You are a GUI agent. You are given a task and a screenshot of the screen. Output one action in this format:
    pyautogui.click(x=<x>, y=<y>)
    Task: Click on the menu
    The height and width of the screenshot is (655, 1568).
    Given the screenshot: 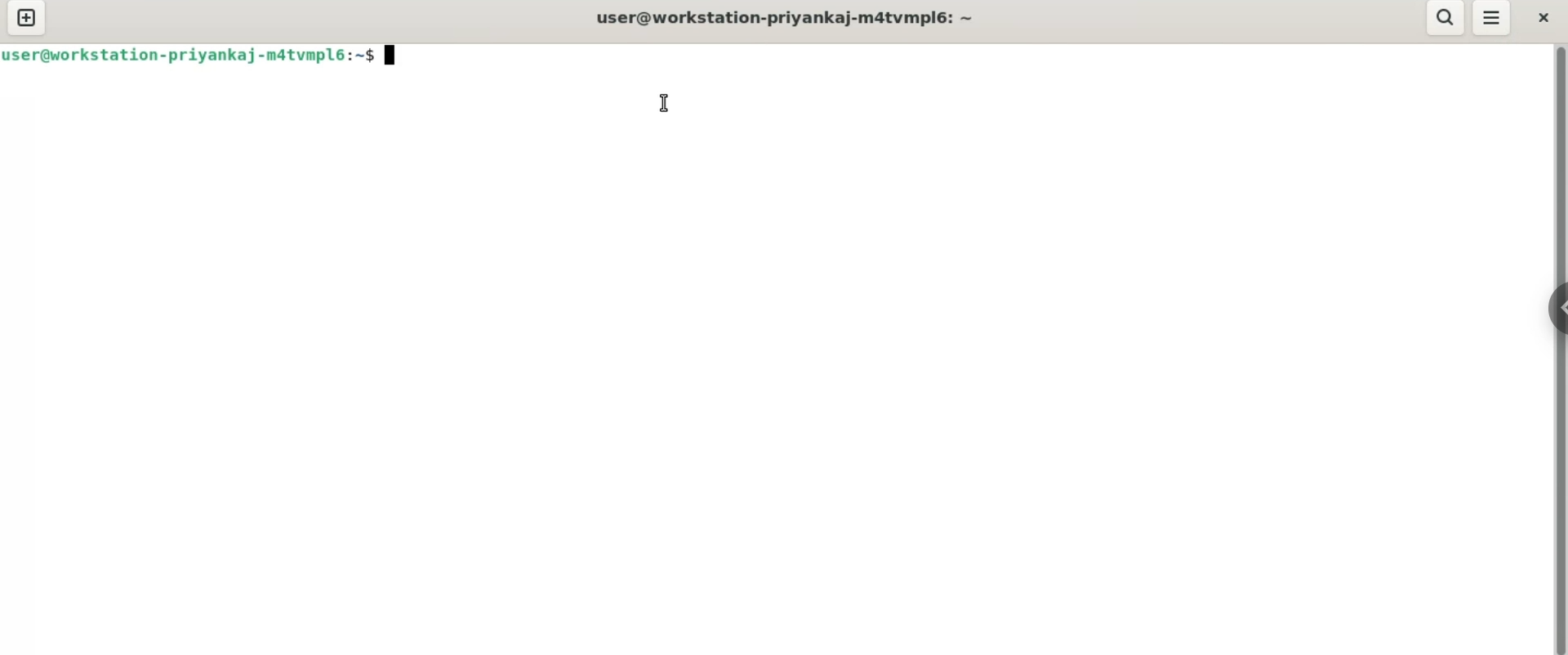 What is the action you would take?
    pyautogui.click(x=1493, y=20)
    